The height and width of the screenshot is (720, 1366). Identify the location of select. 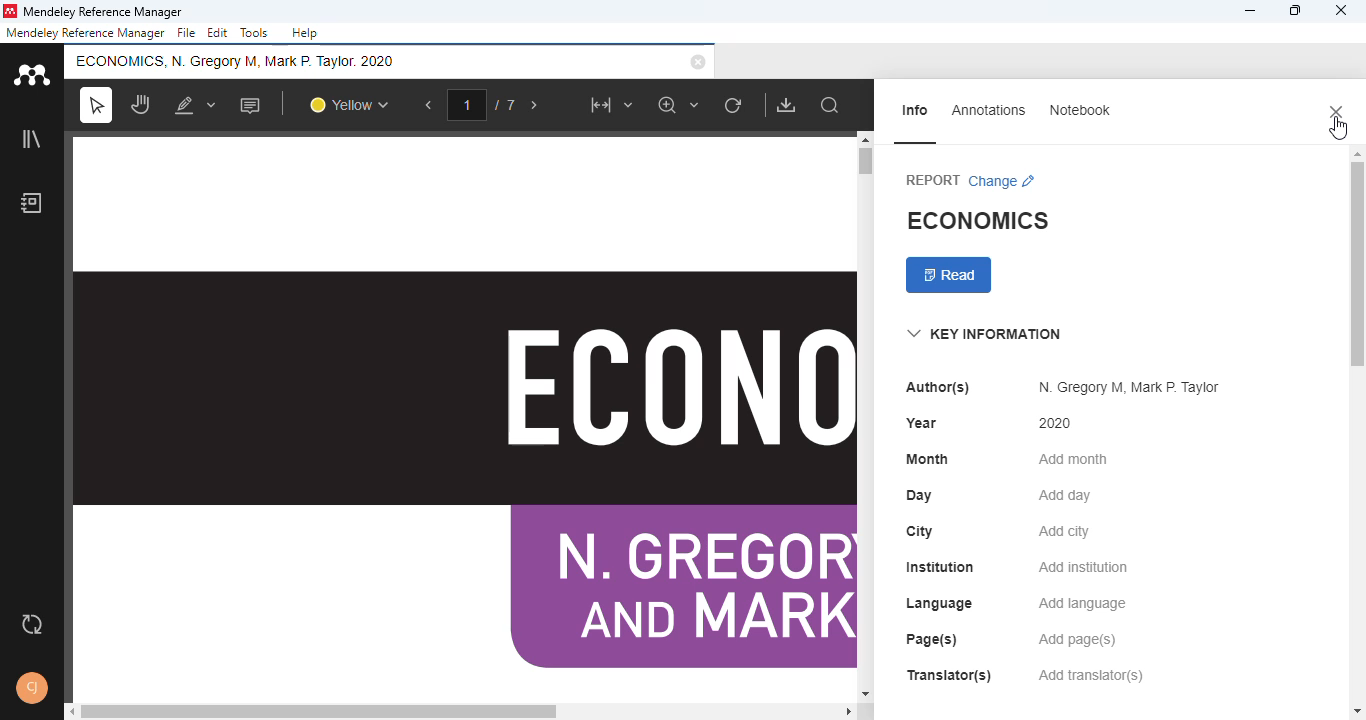
(96, 104).